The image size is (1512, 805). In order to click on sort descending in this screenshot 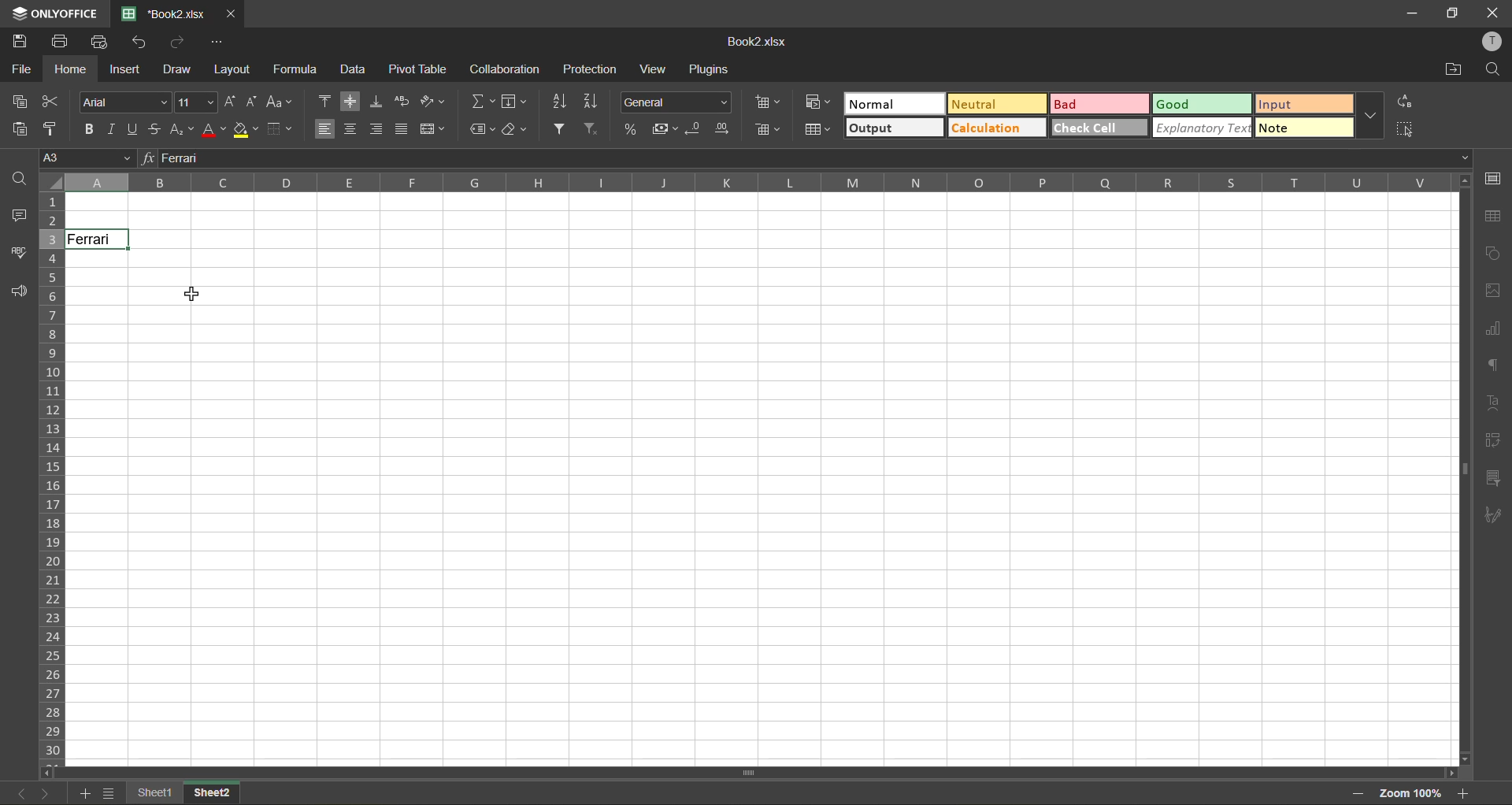, I will do `click(593, 101)`.